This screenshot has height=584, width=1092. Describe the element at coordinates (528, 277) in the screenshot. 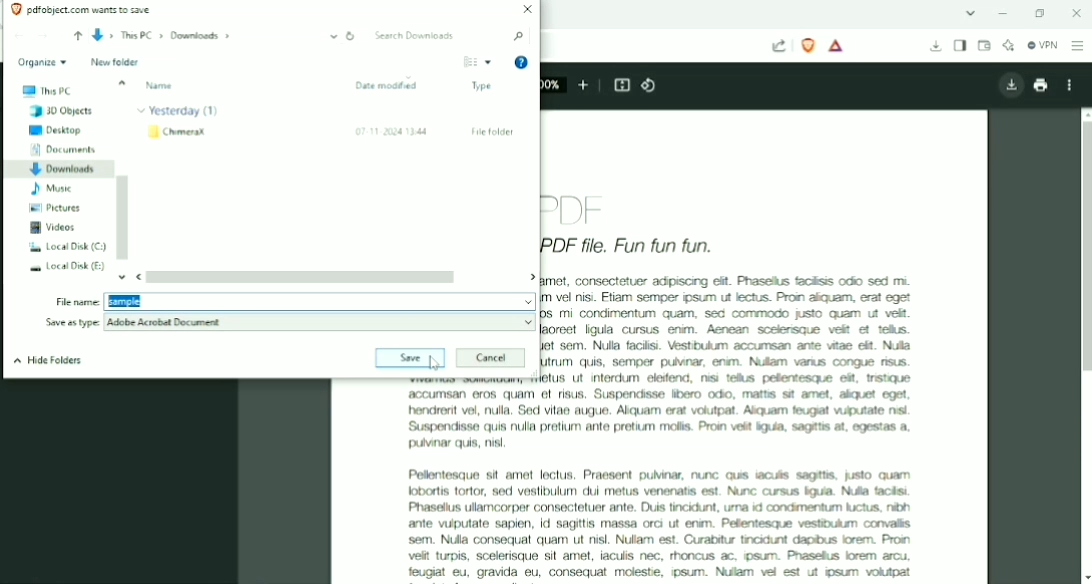

I see `right` at that location.